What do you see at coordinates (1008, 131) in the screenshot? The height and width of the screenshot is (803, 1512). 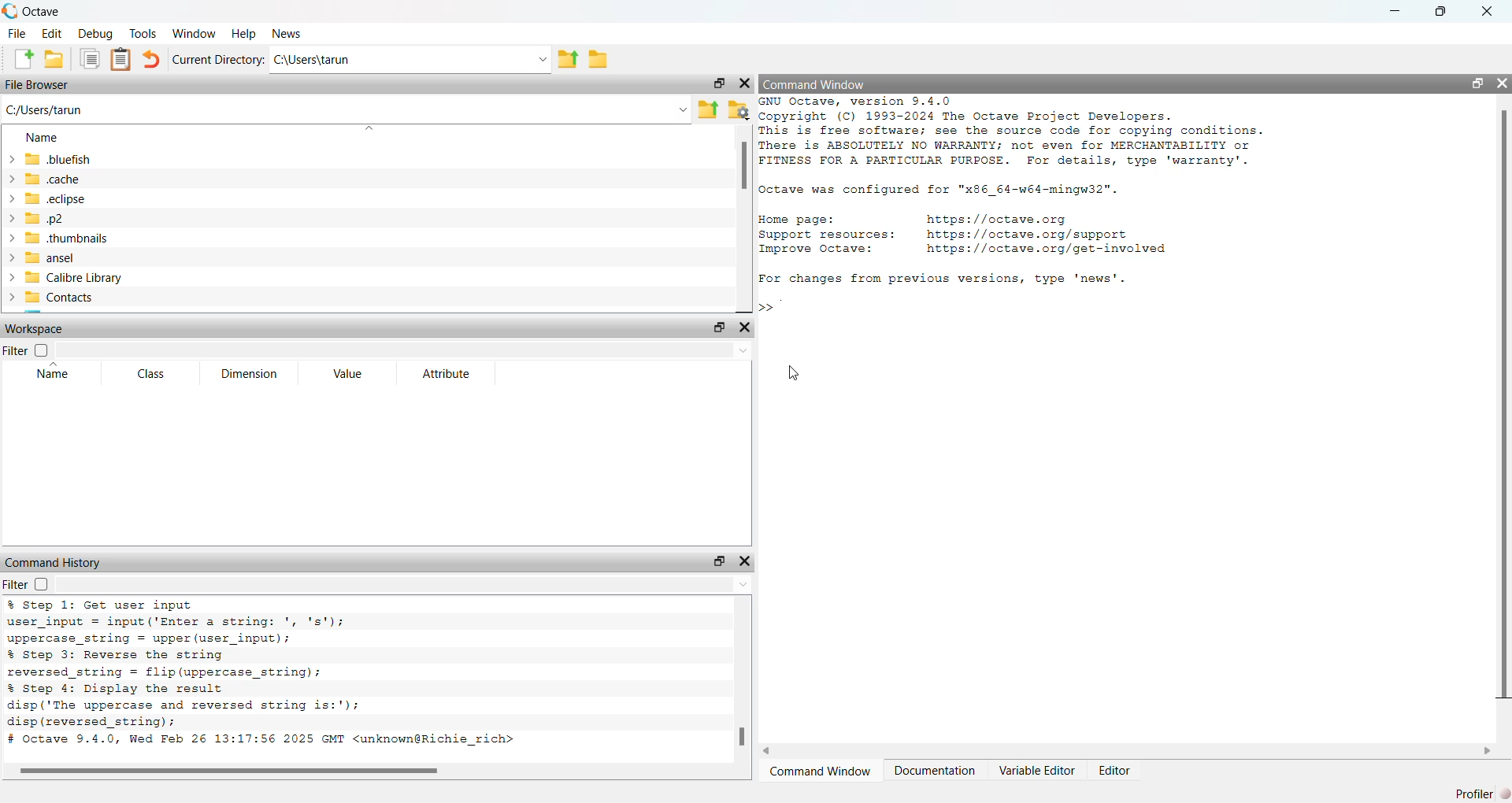 I see `details of octave version and copyright` at bounding box center [1008, 131].